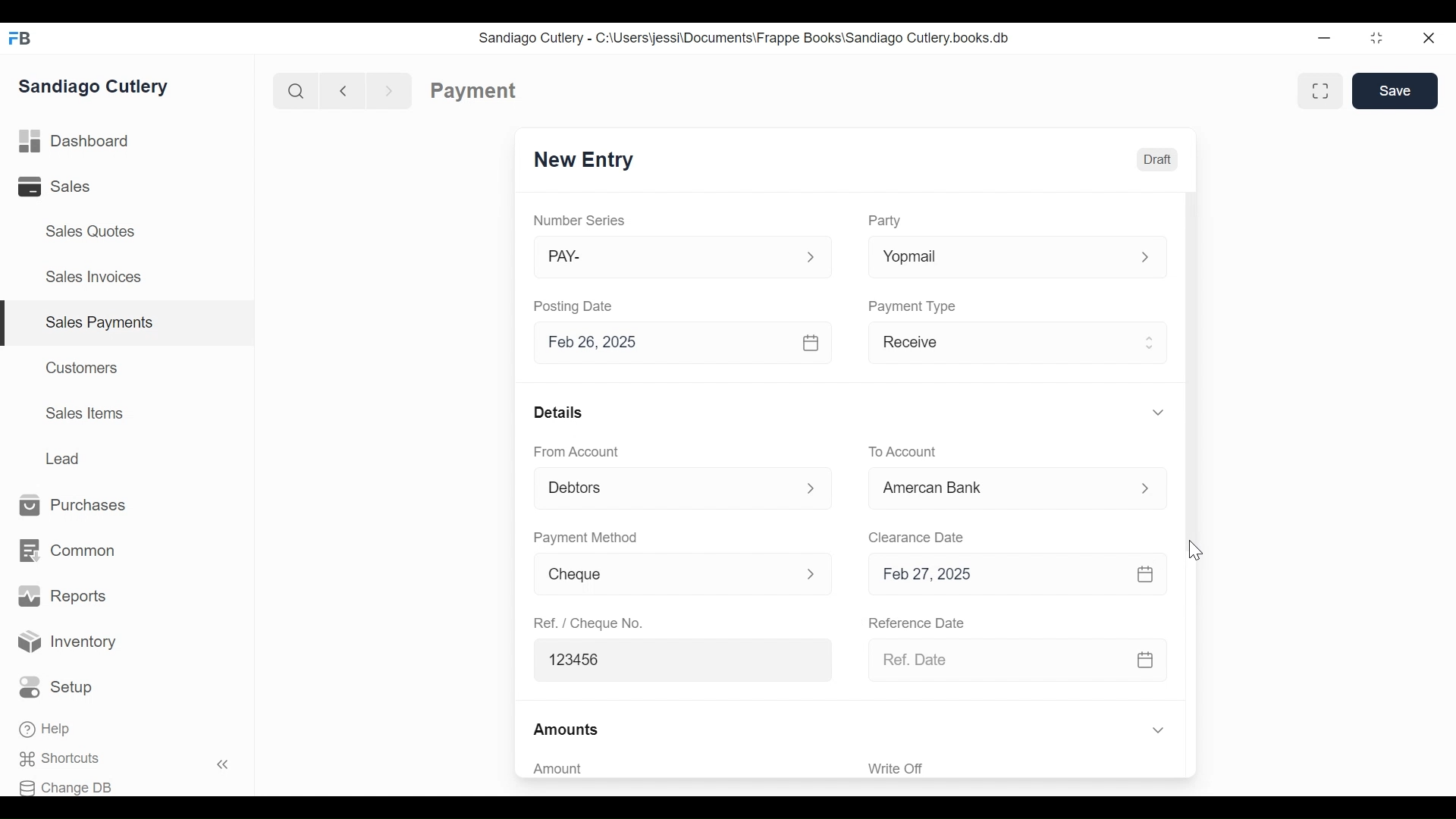  What do you see at coordinates (812, 343) in the screenshot?
I see `Calendar` at bounding box center [812, 343].